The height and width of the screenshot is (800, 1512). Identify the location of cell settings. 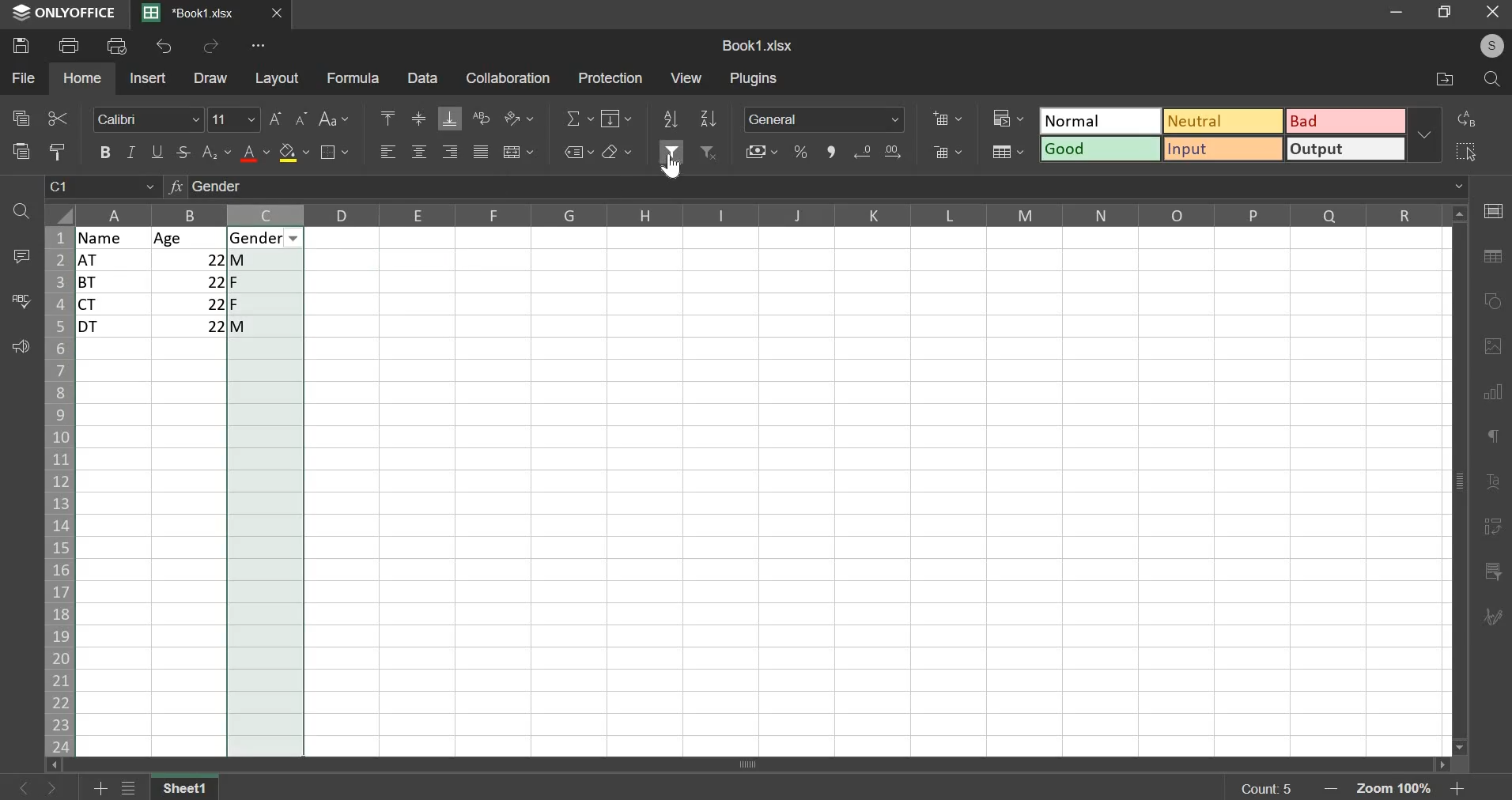
(1493, 210).